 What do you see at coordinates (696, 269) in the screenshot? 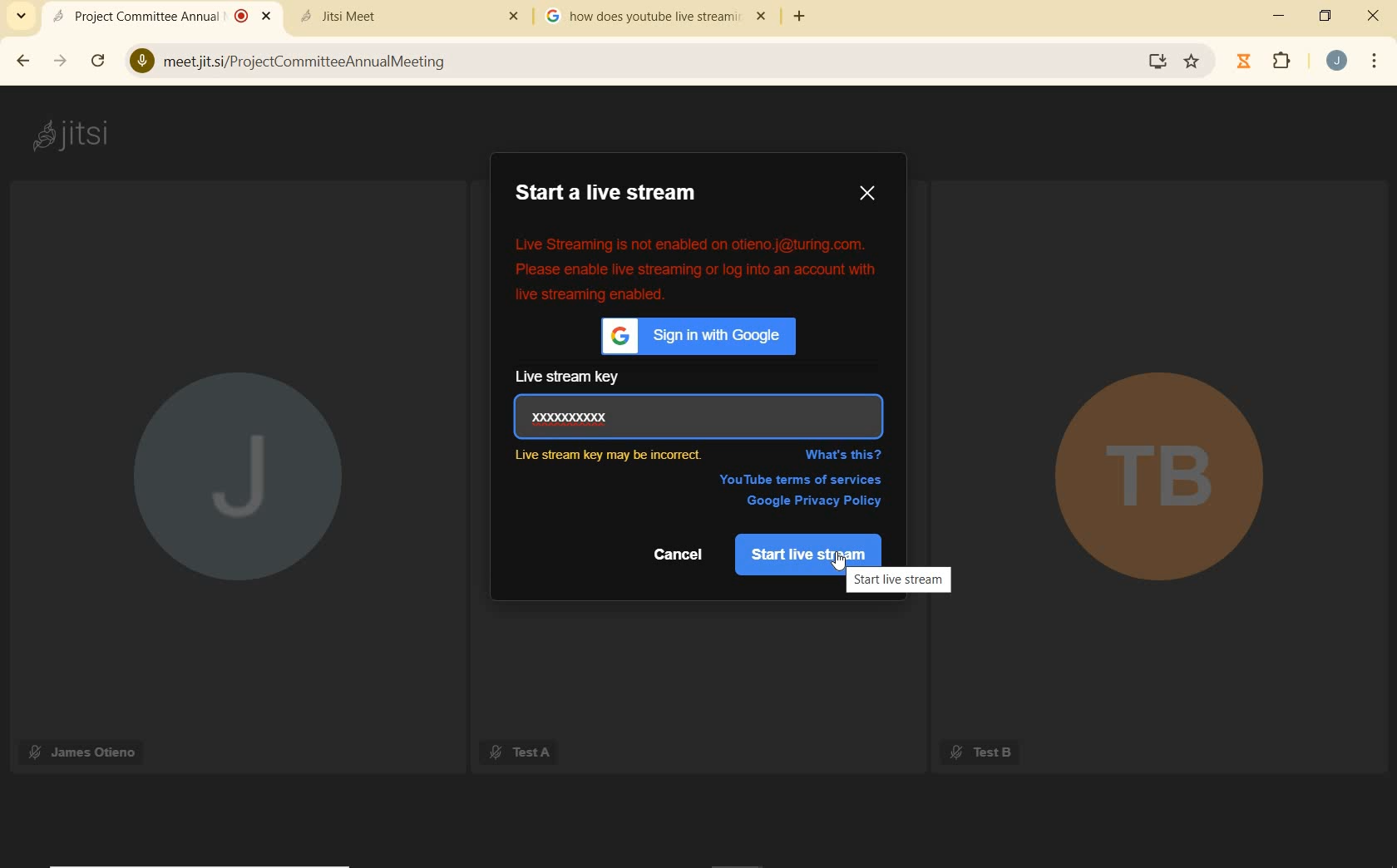
I see `error message` at bounding box center [696, 269].